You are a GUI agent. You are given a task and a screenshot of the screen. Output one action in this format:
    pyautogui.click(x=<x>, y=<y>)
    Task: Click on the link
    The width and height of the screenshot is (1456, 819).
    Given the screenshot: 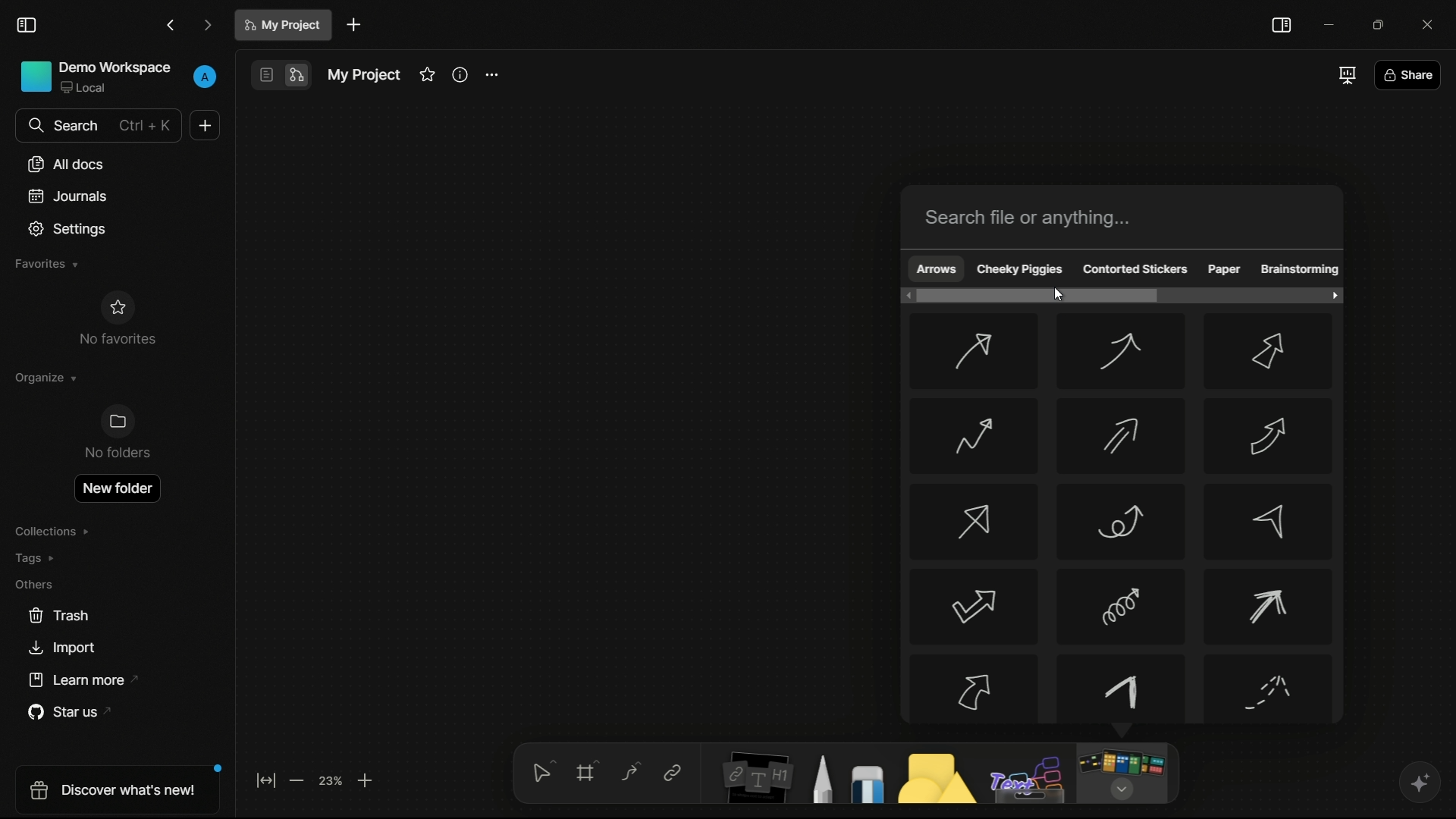 What is the action you would take?
    pyautogui.click(x=672, y=773)
    